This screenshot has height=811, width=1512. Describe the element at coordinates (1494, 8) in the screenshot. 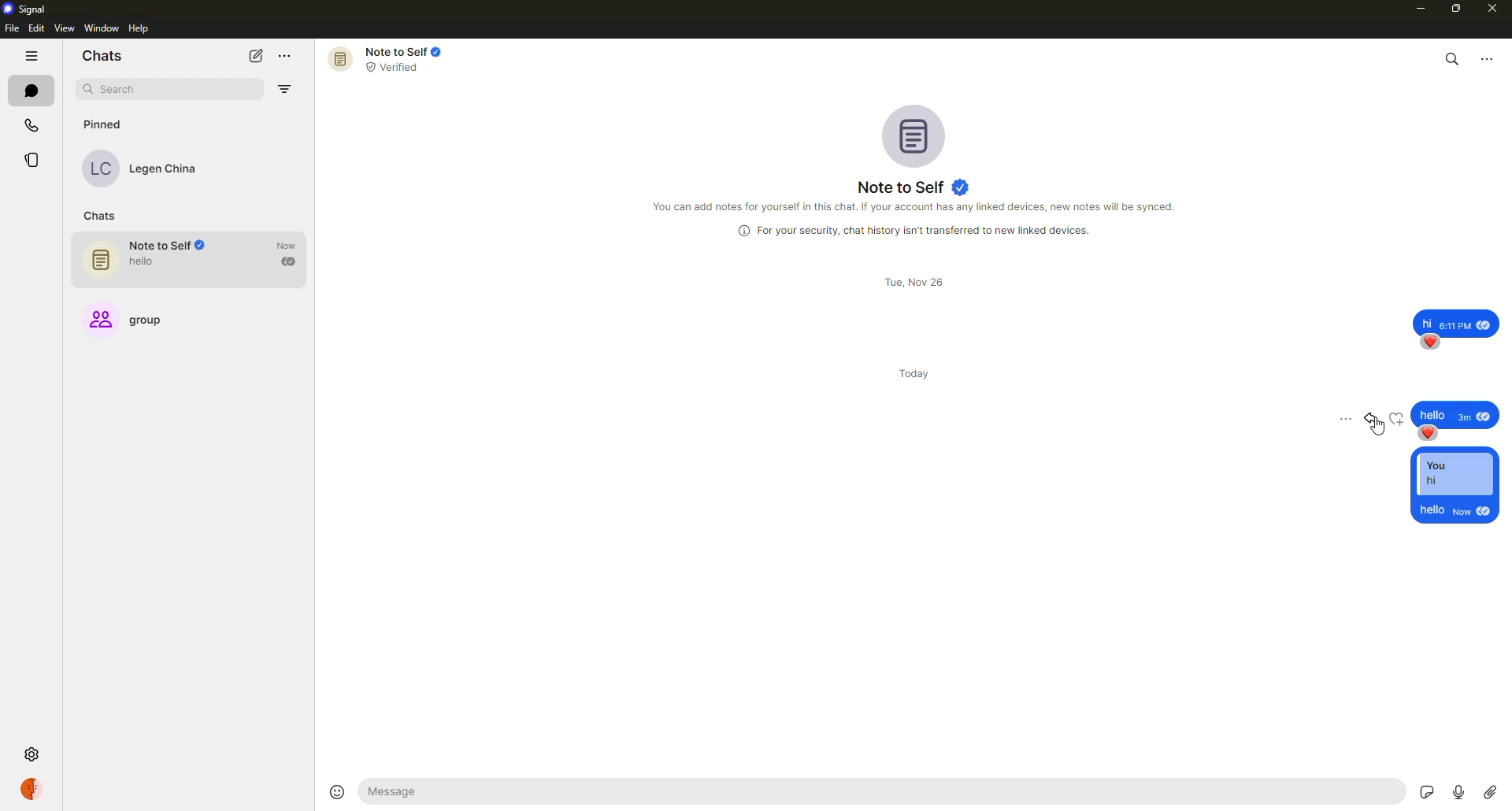

I see `close` at that location.